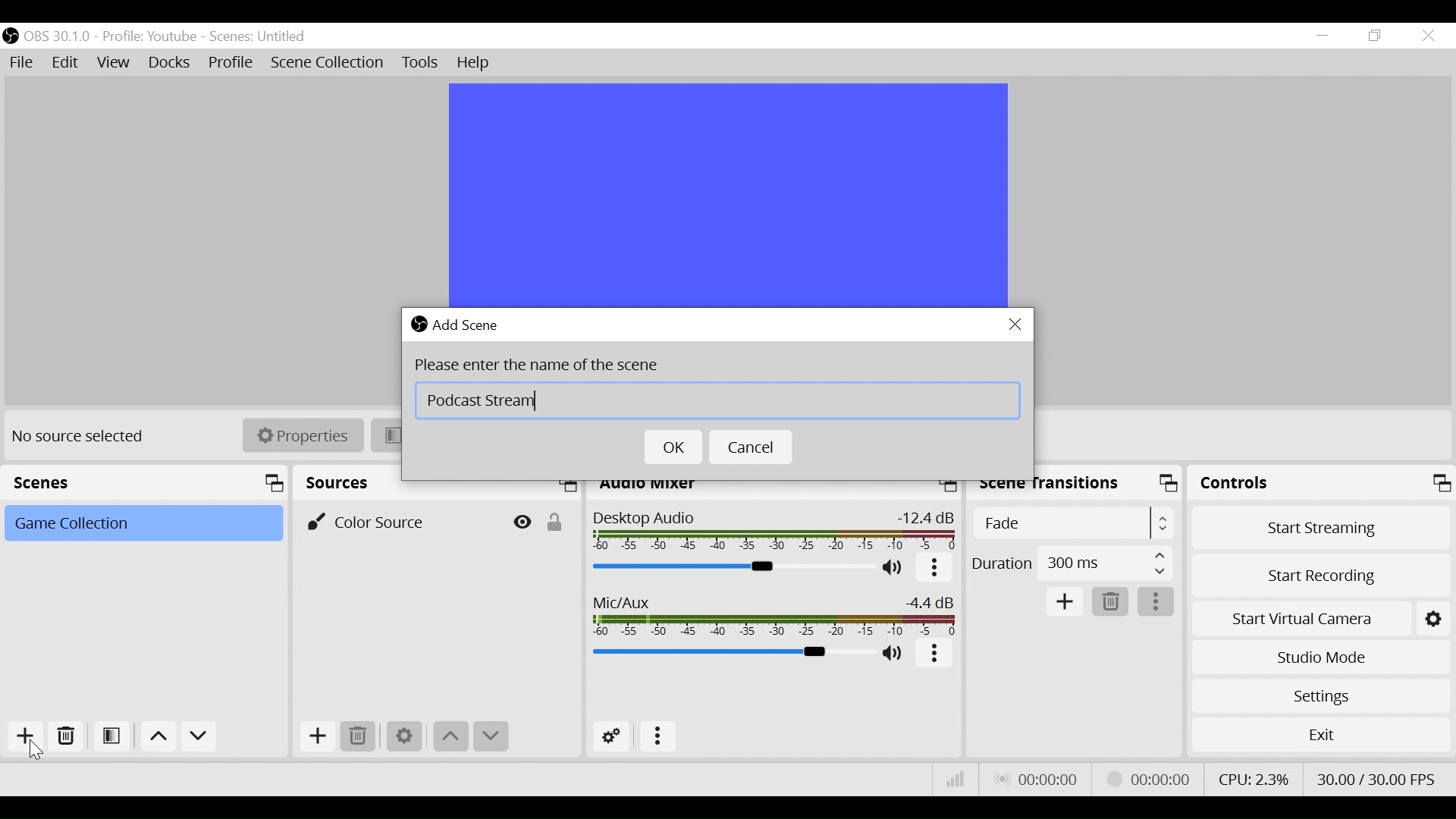 The image size is (1456, 819). What do you see at coordinates (60, 36) in the screenshot?
I see `OBS Version` at bounding box center [60, 36].